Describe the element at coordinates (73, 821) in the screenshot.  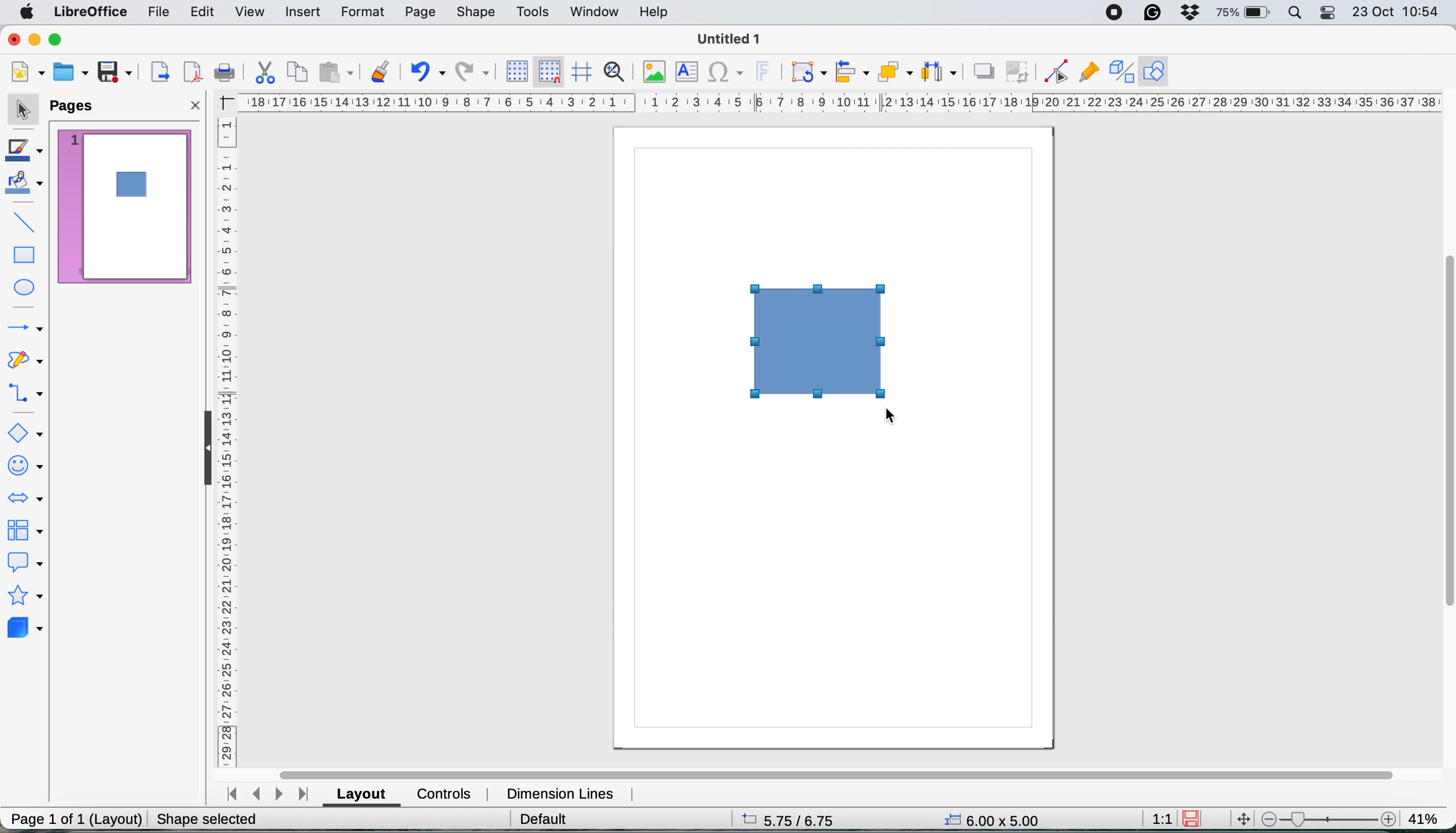
I see `page 1 of 1 (Layout)` at that location.